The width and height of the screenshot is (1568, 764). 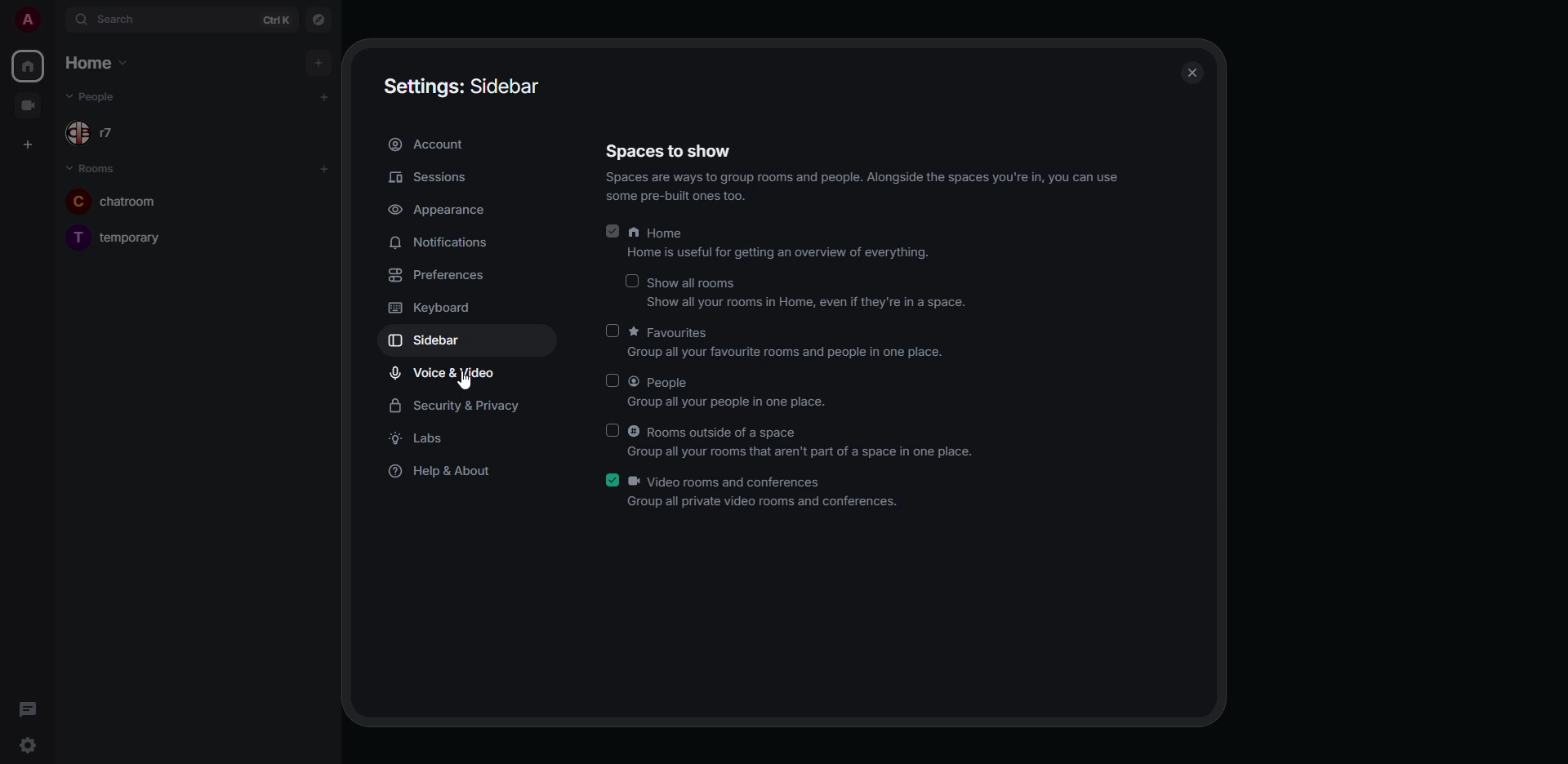 I want to click on keyboard, so click(x=434, y=307).